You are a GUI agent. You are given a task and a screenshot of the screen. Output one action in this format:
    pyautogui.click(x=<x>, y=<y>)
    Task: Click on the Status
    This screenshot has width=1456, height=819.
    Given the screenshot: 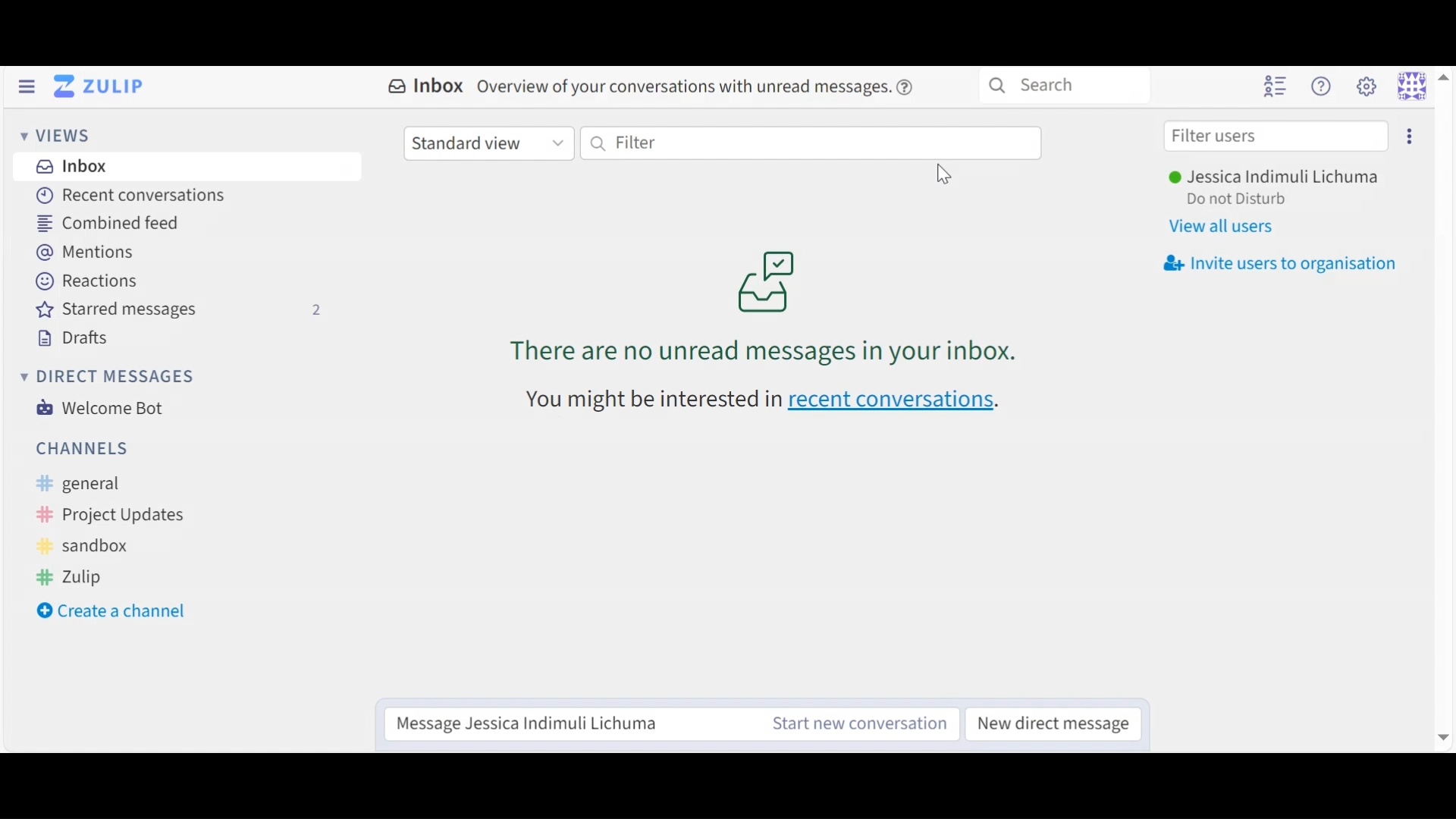 What is the action you would take?
    pyautogui.click(x=1238, y=202)
    